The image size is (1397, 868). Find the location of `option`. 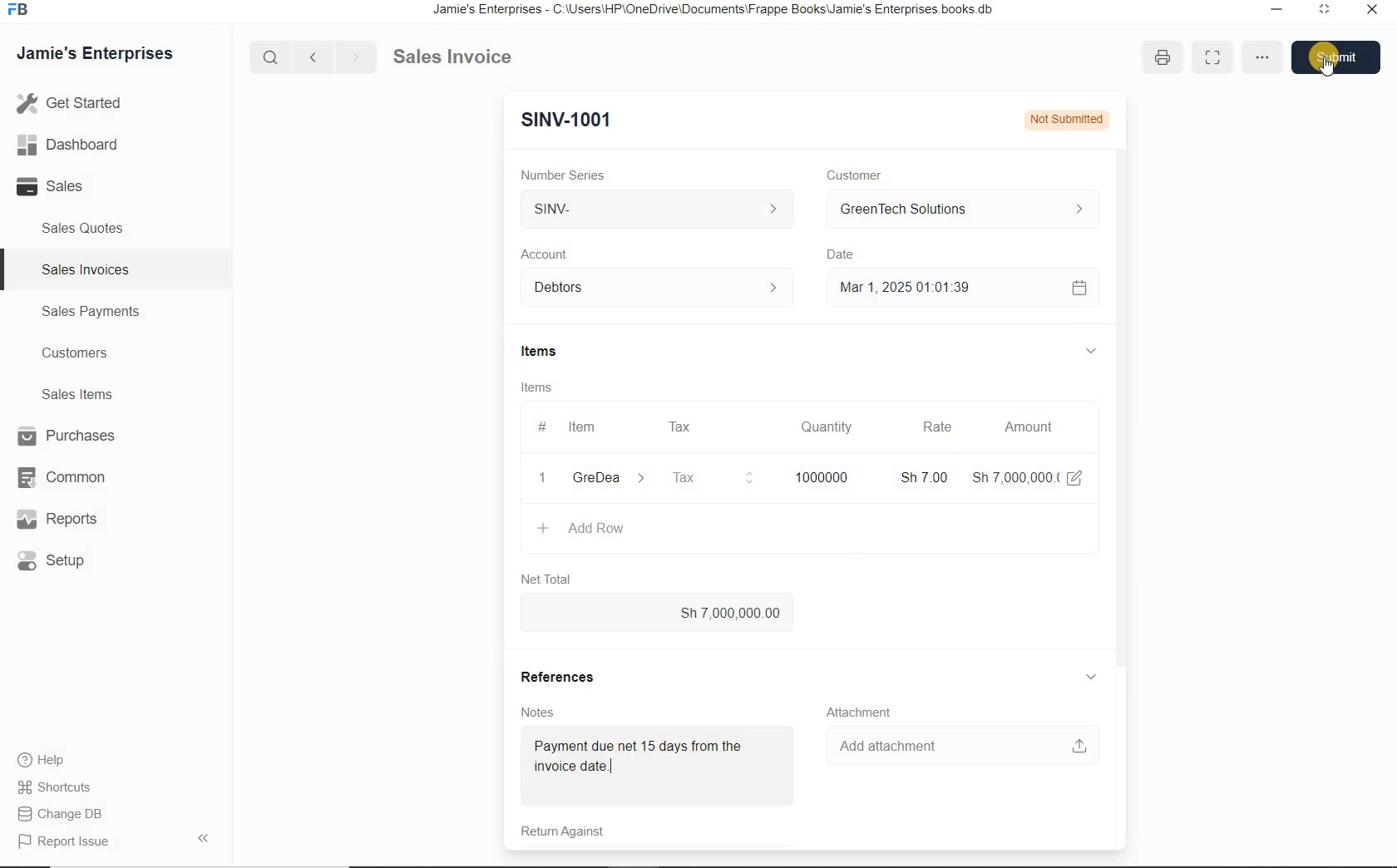

option is located at coordinates (1260, 56).